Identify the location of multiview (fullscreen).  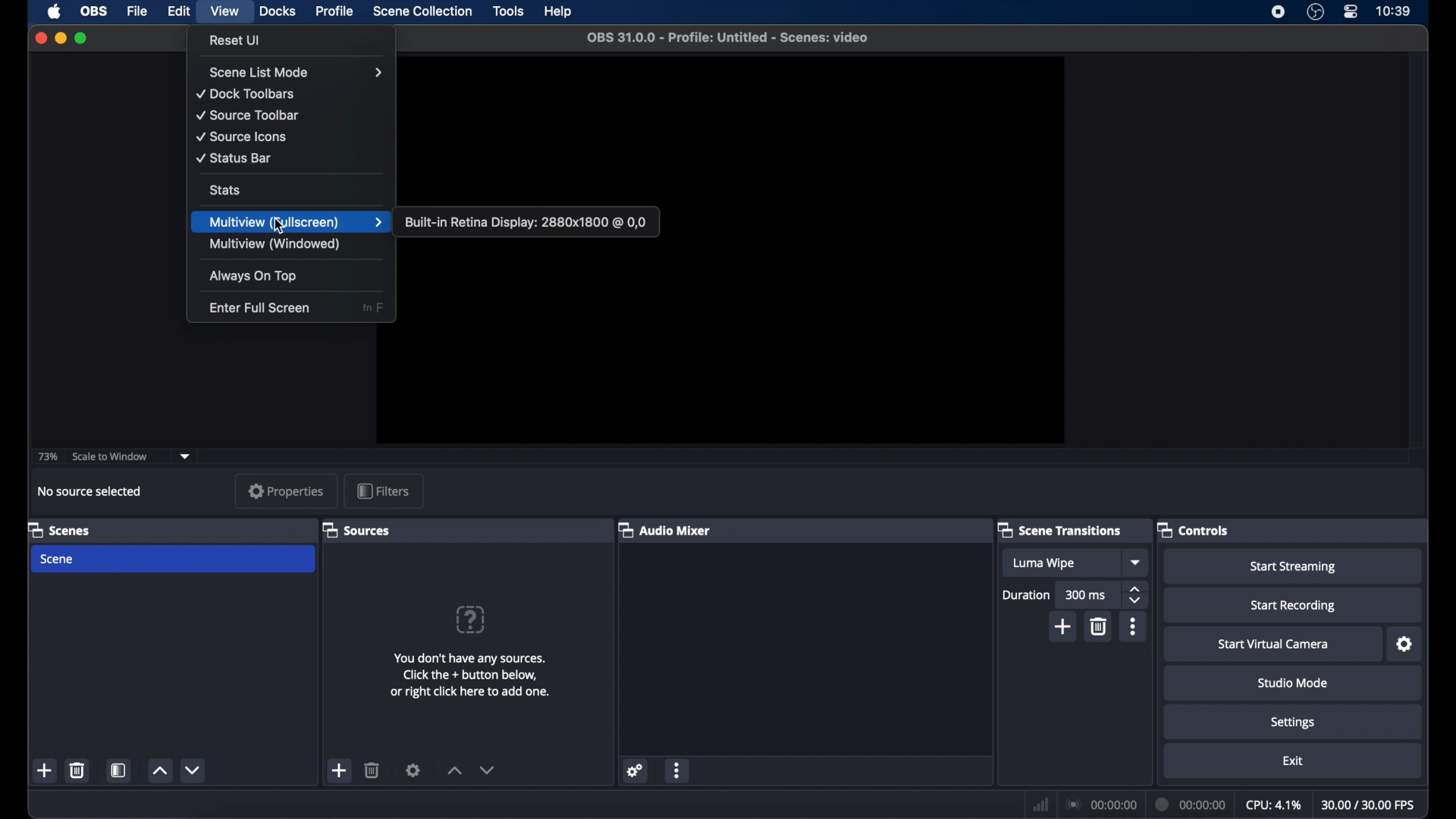
(297, 222).